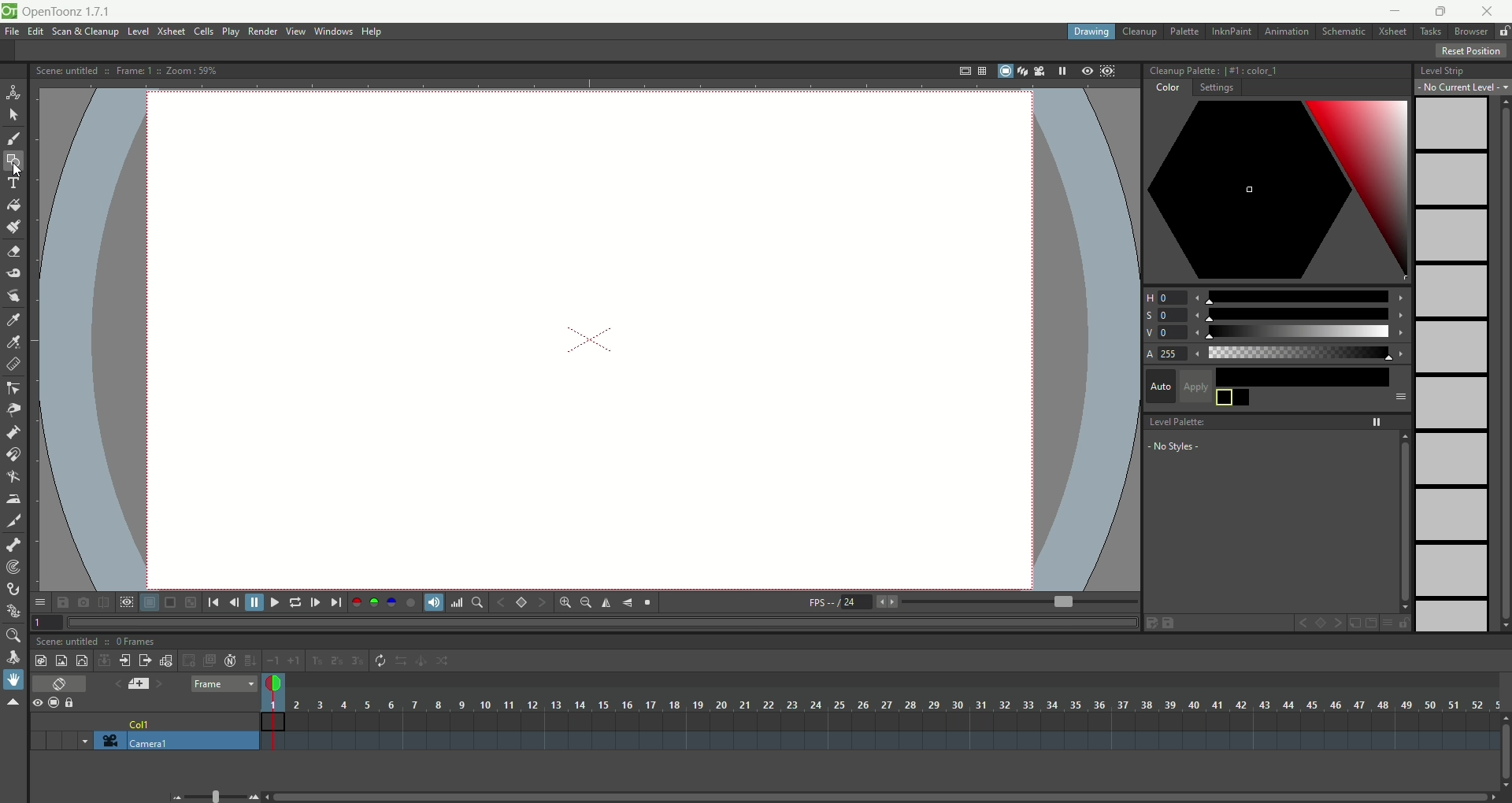  I want to click on no style, so click(1206, 446).